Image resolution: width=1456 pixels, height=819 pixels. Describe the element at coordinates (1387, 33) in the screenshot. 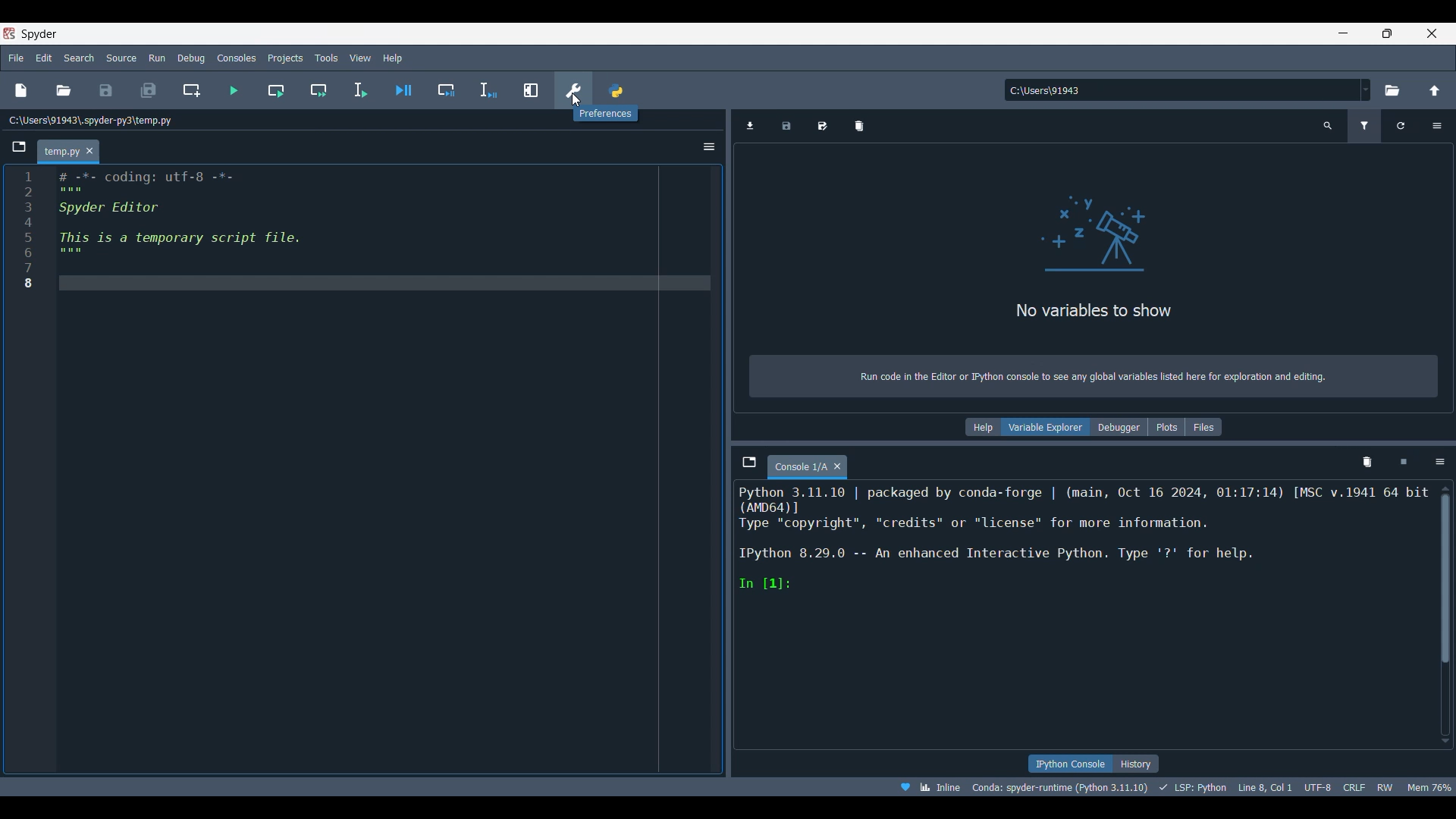

I see `Show in a smaller tab` at that location.